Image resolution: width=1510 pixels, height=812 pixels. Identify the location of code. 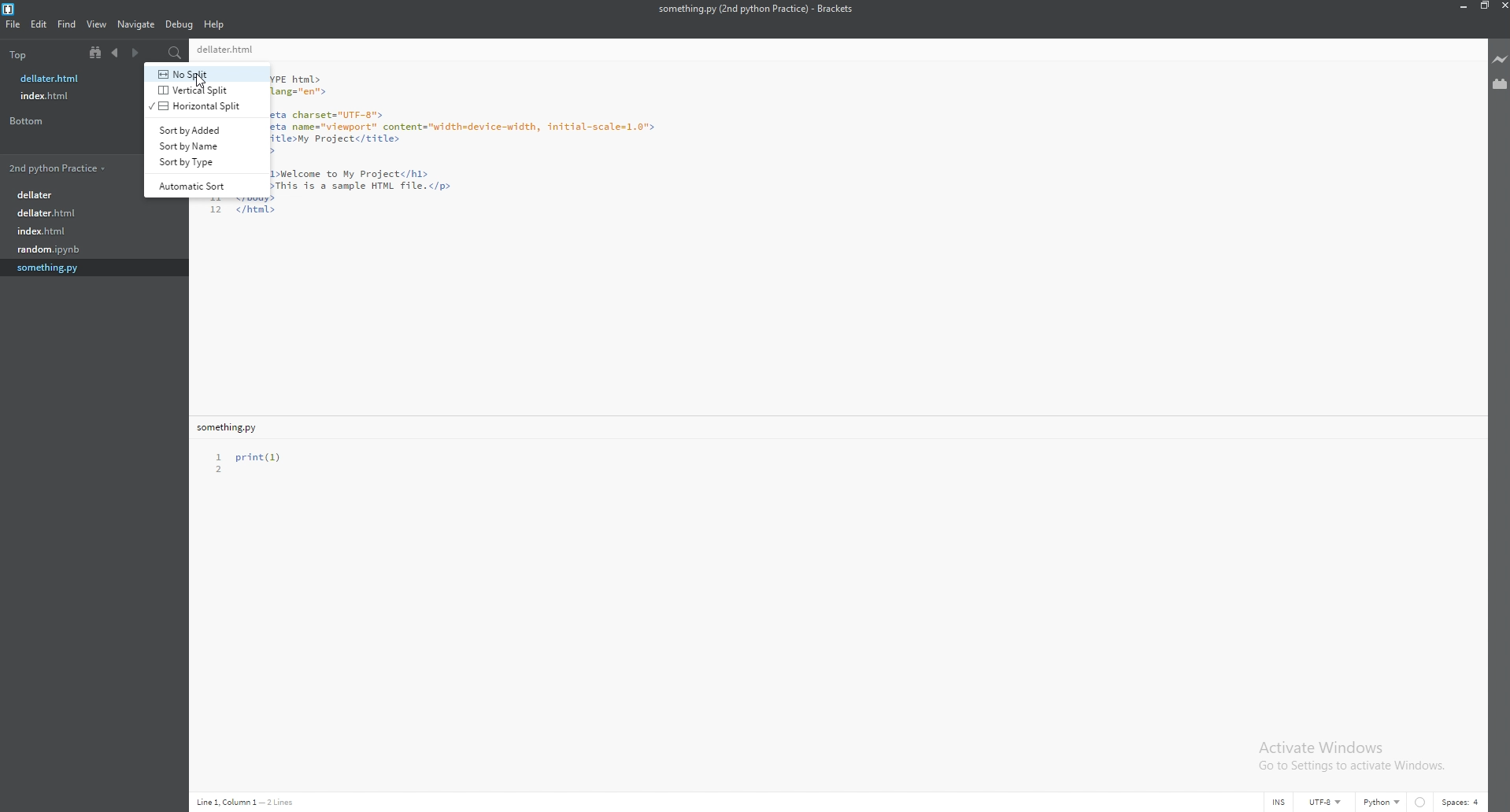
(494, 156).